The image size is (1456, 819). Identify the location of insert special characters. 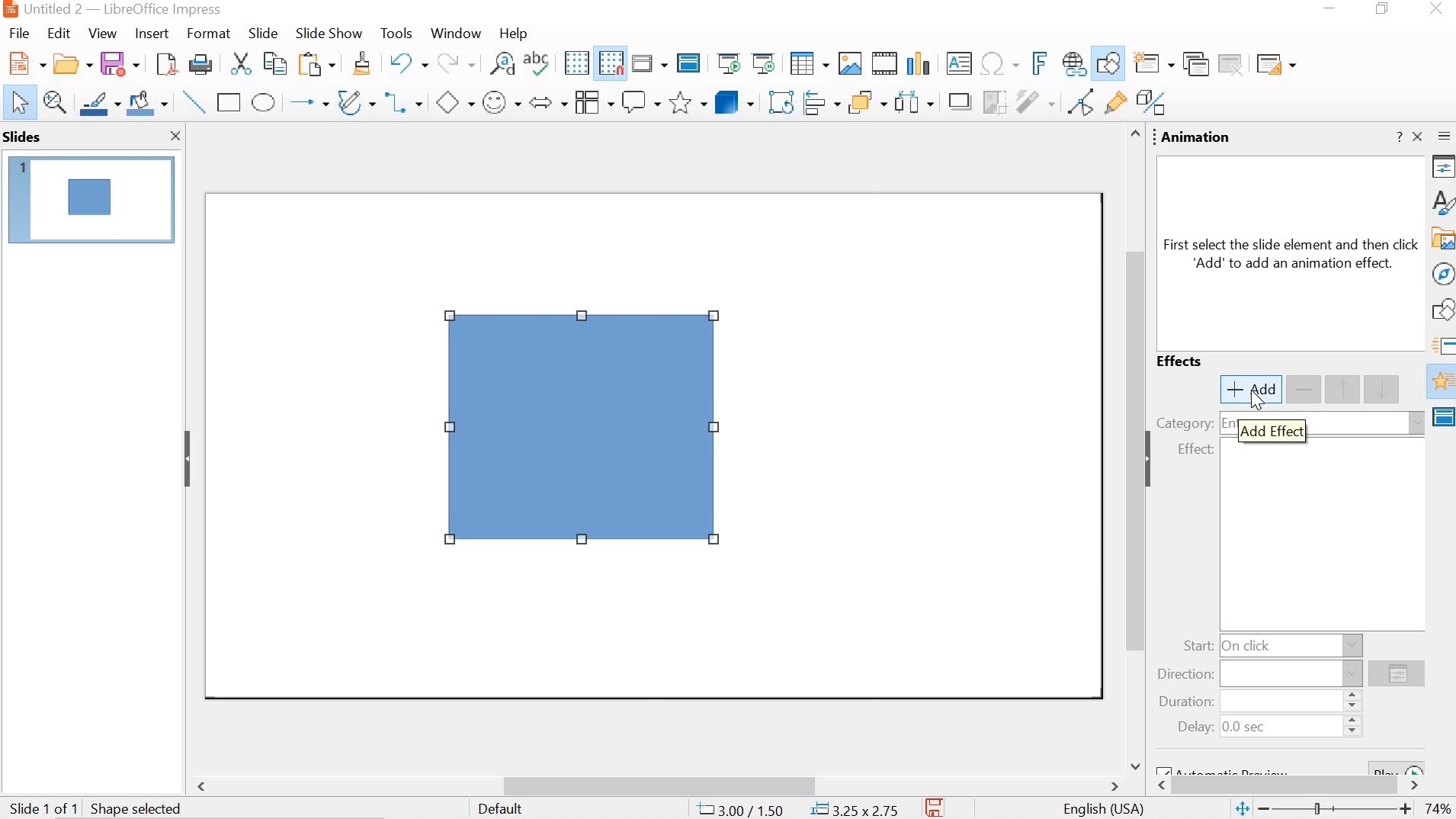
(1004, 63).